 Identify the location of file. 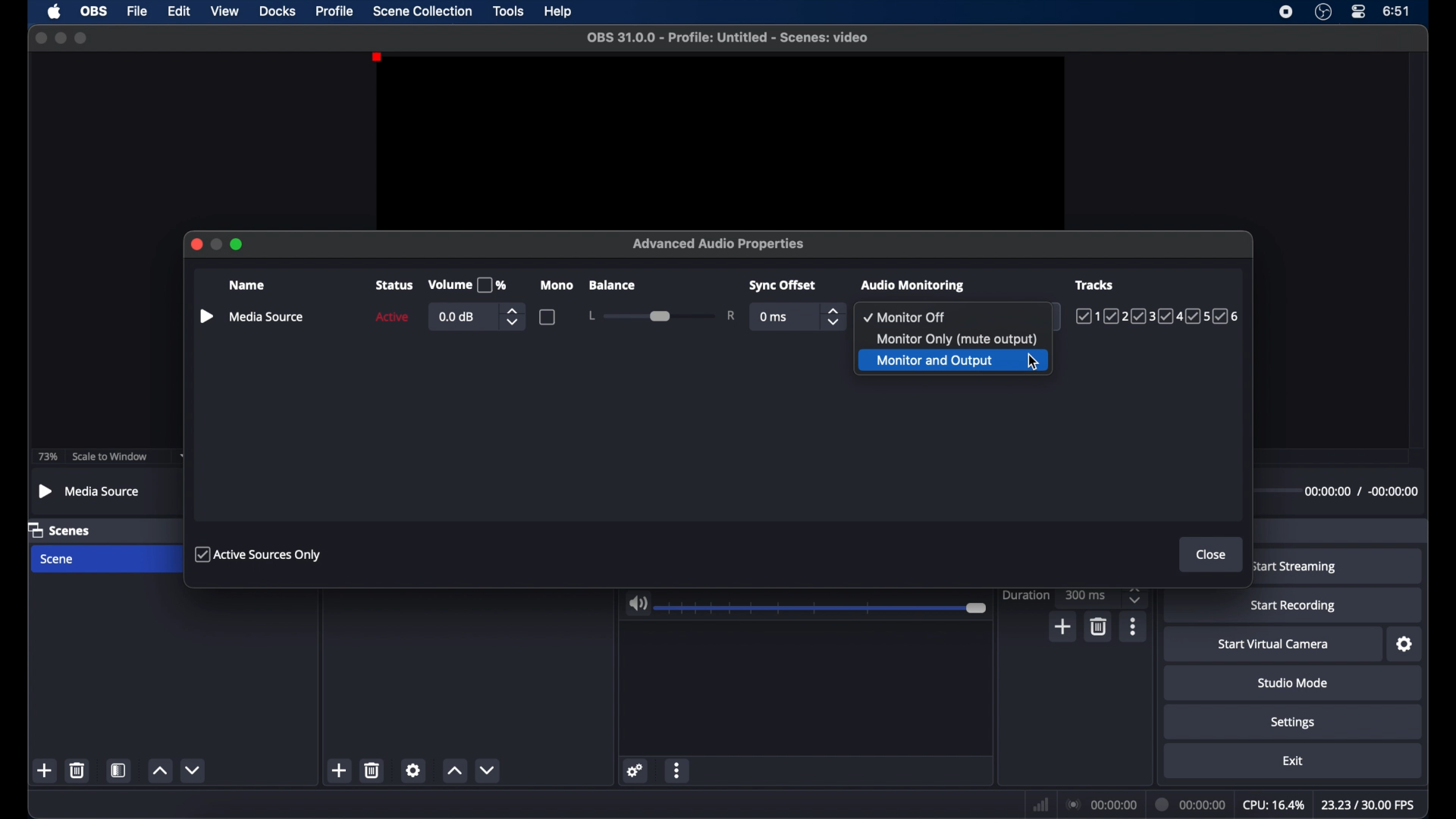
(137, 11).